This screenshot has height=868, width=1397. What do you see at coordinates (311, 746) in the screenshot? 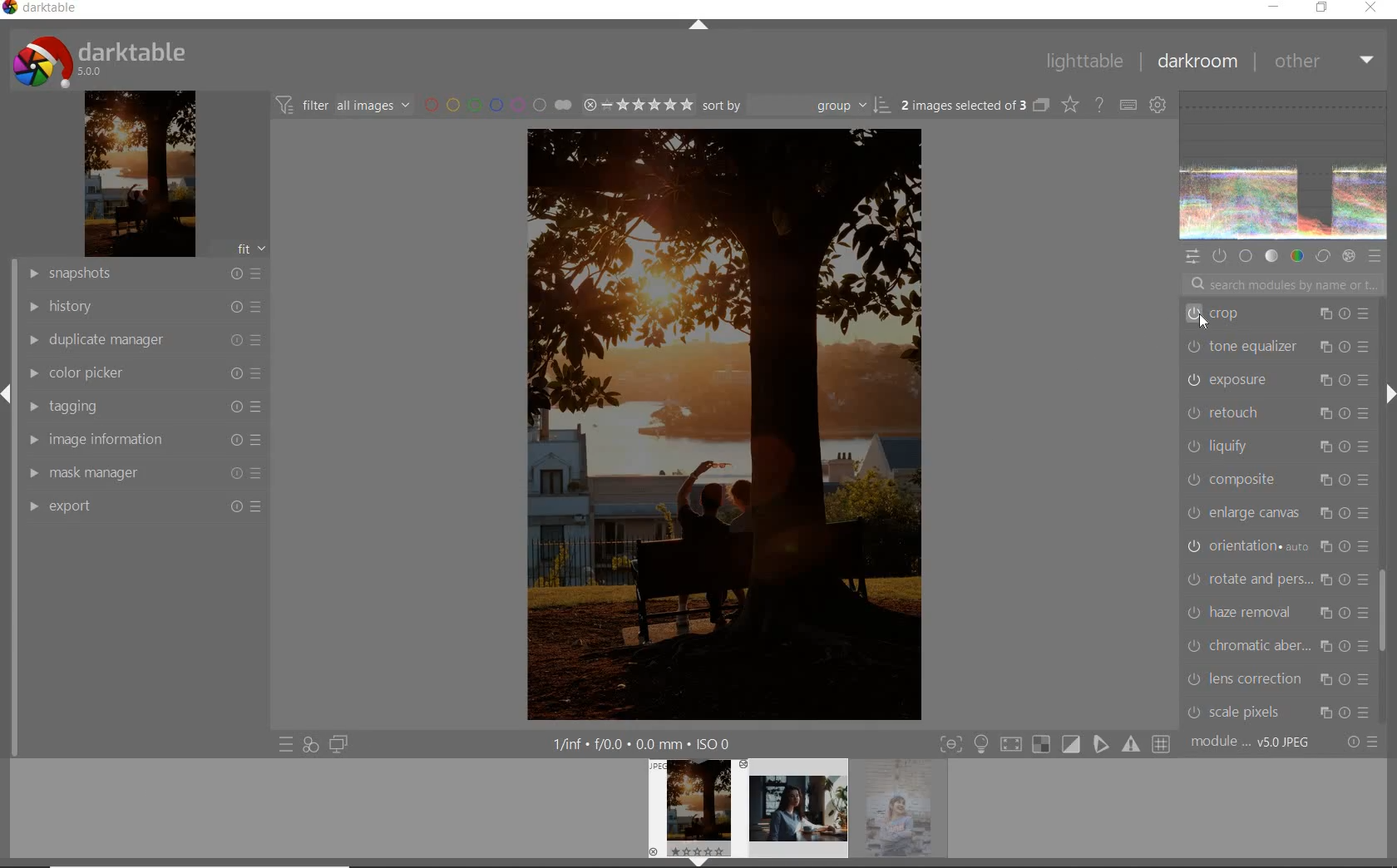
I see `quick access for applying any of your style` at bounding box center [311, 746].